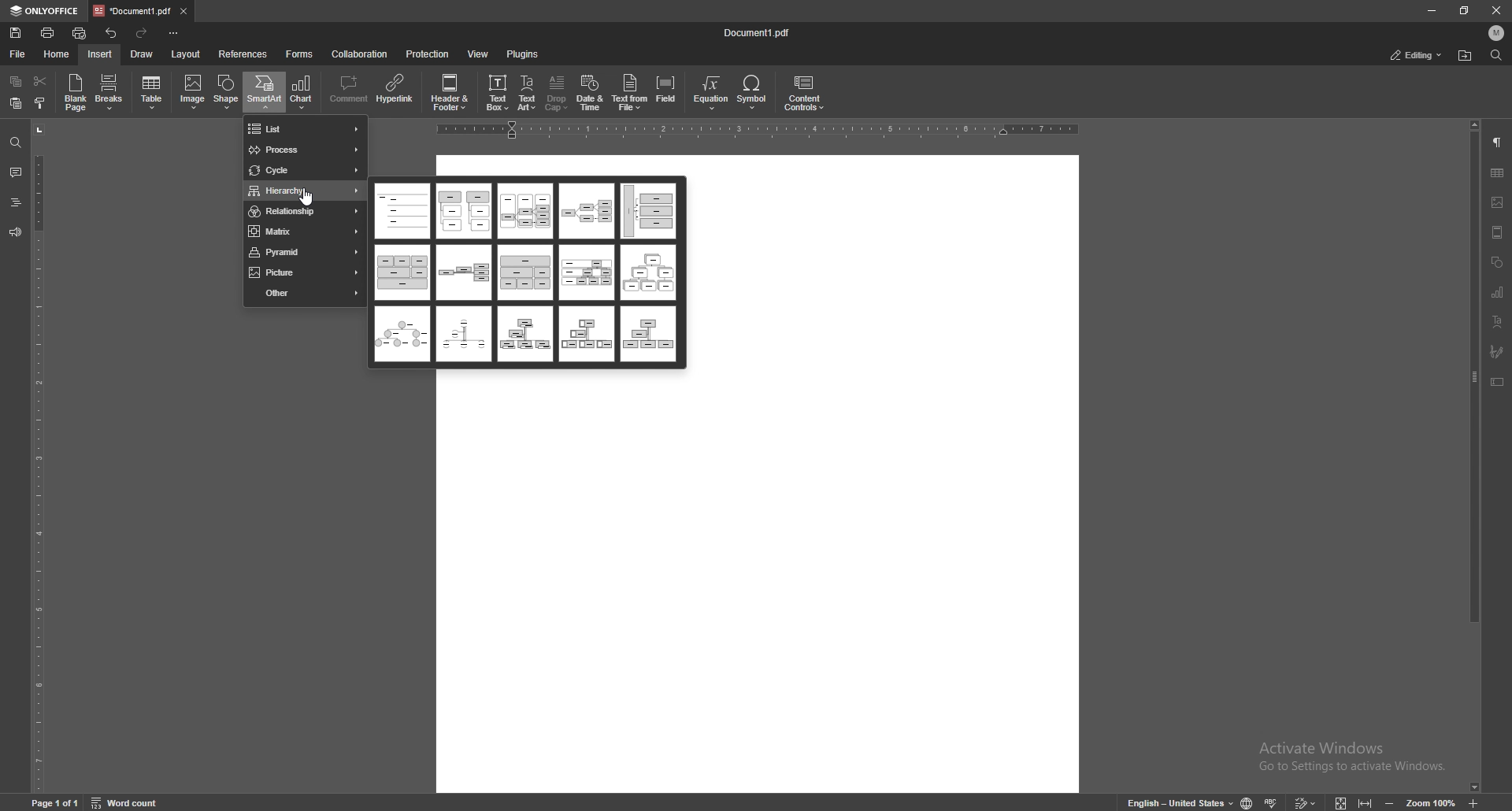  Describe the element at coordinates (1499, 172) in the screenshot. I see `table` at that location.